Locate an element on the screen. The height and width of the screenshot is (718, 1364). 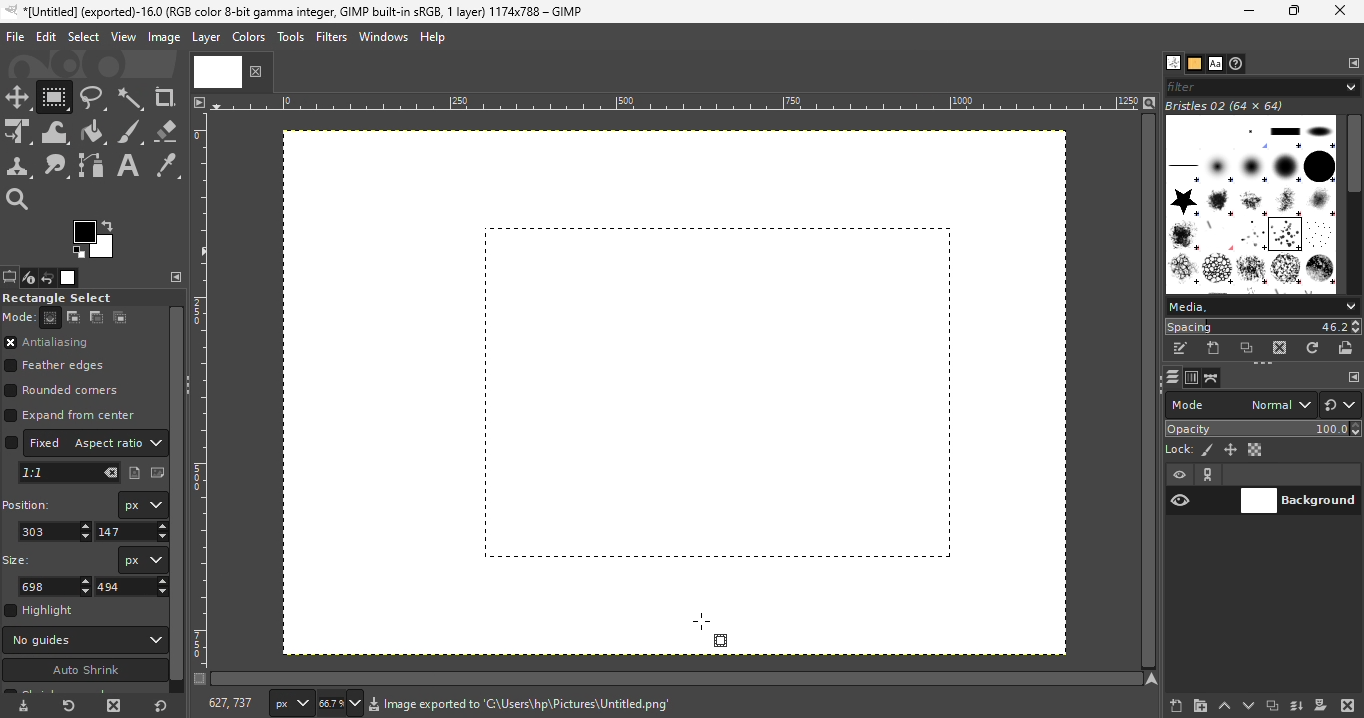
px is located at coordinates (141, 505).